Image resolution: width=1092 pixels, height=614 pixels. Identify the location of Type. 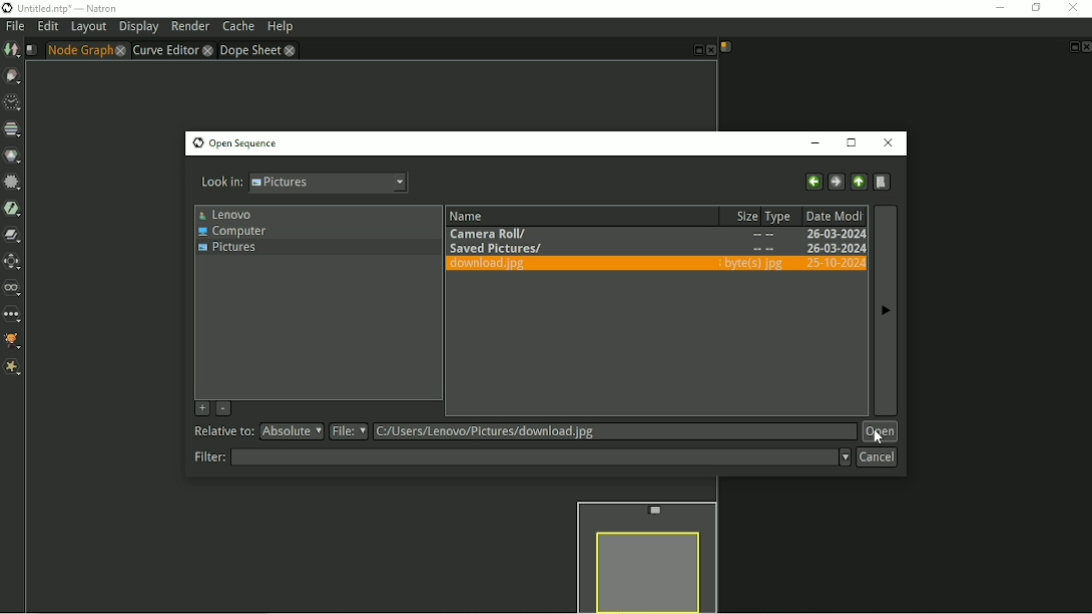
(778, 215).